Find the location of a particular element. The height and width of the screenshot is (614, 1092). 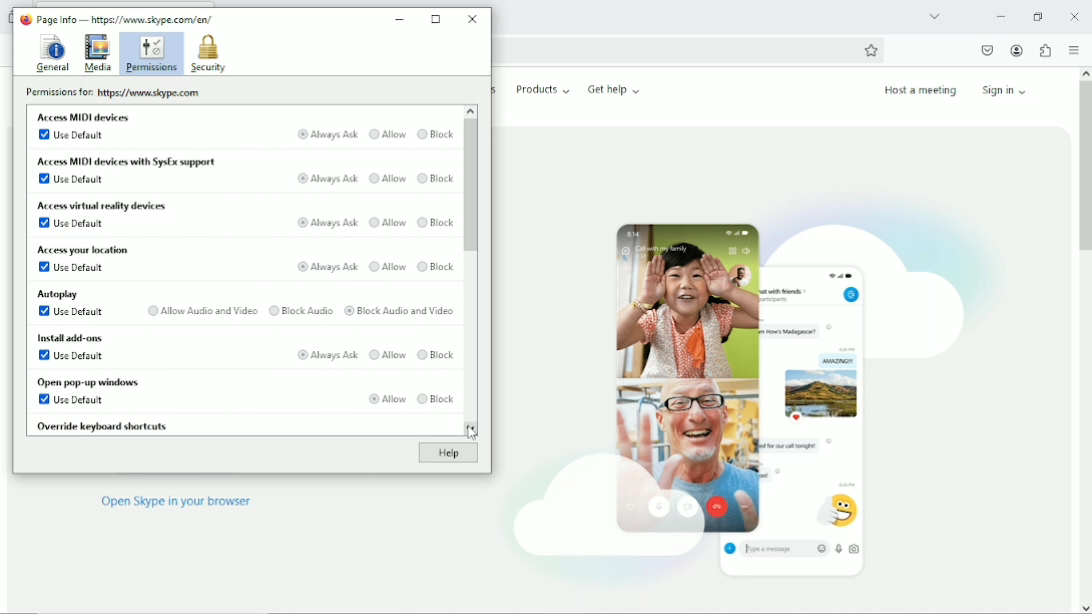

Security is located at coordinates (208, 54).